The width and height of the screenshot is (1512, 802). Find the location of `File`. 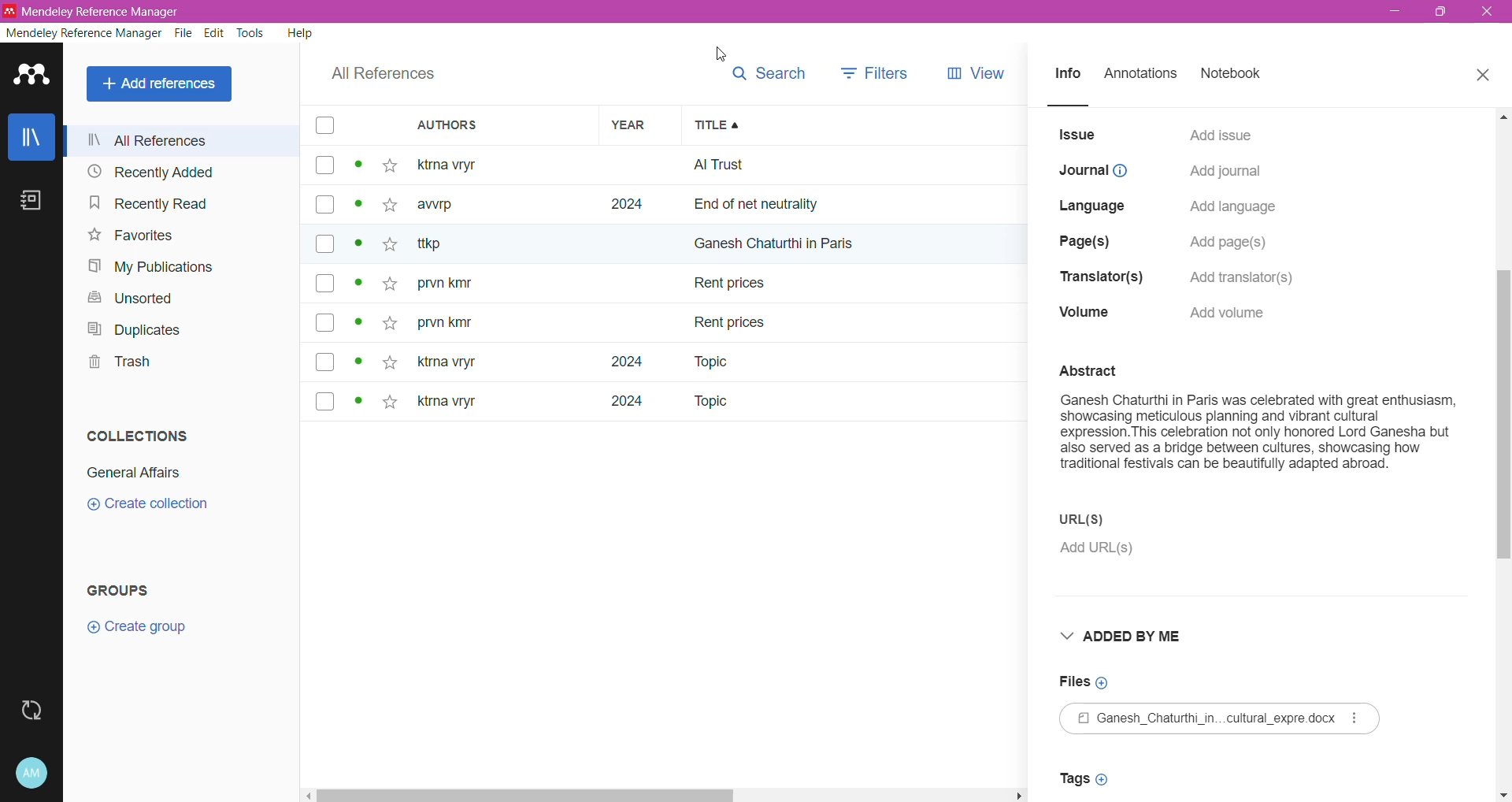

File is located at coordinates (1224, 719).